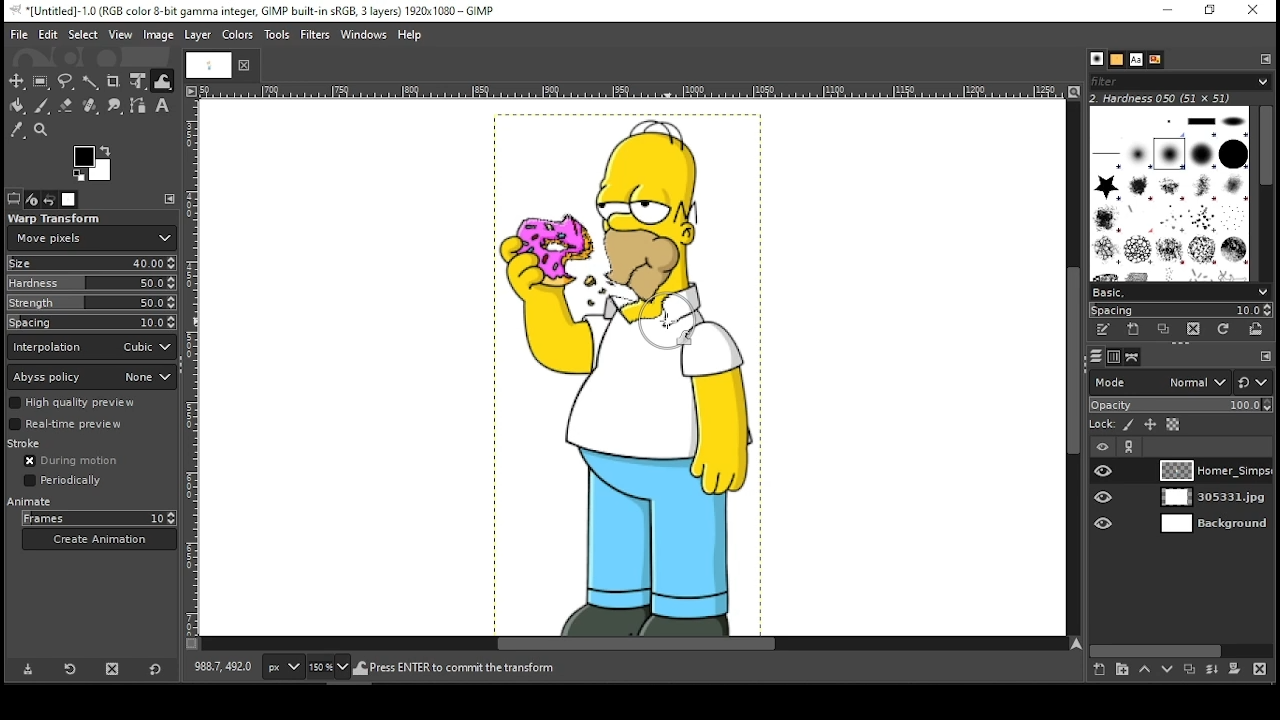 The height and width of the screenshot is (720, 1280). I want to click on delete brush, so click(1193, 329).